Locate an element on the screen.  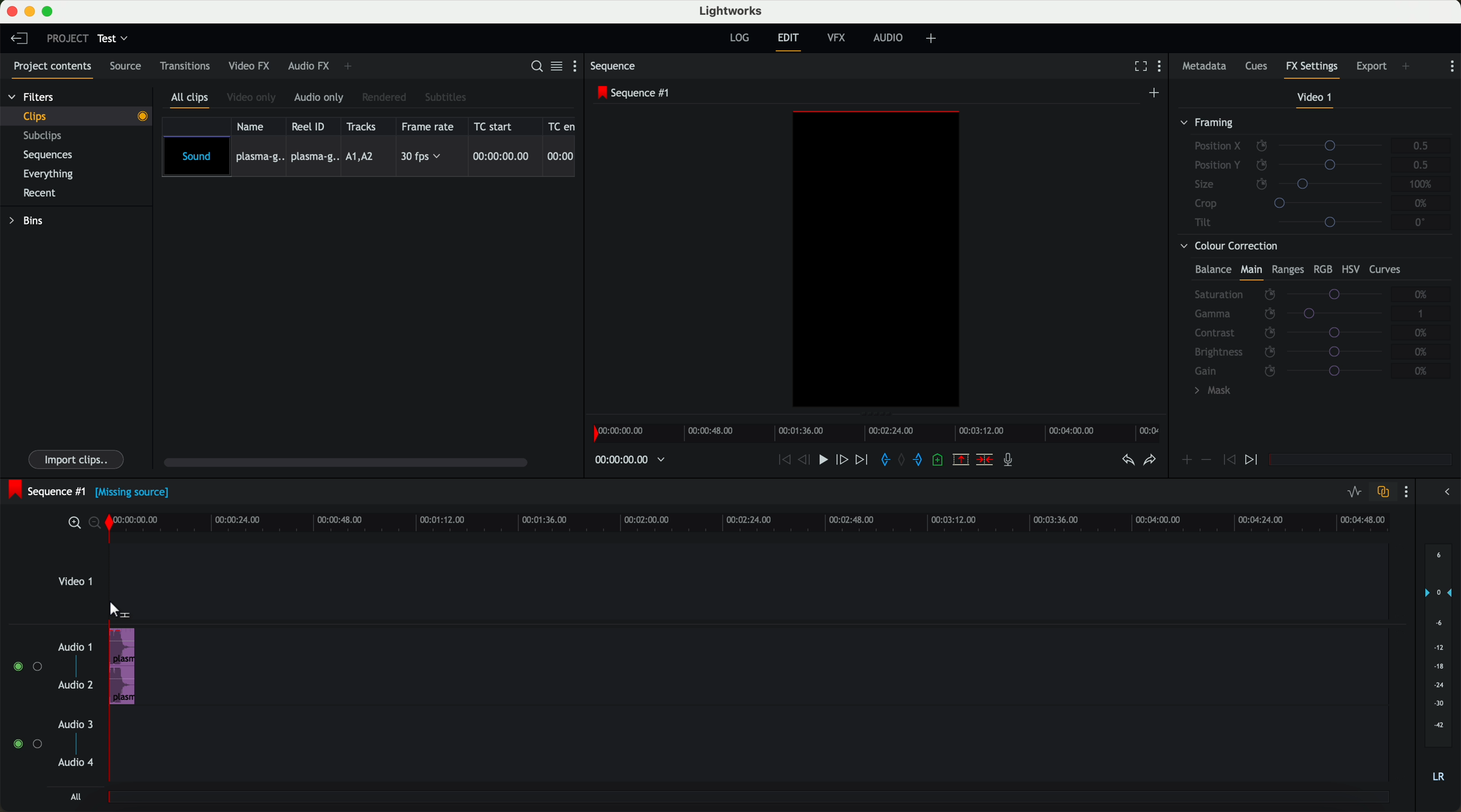
add out mark is located at coordinates (922, 461).